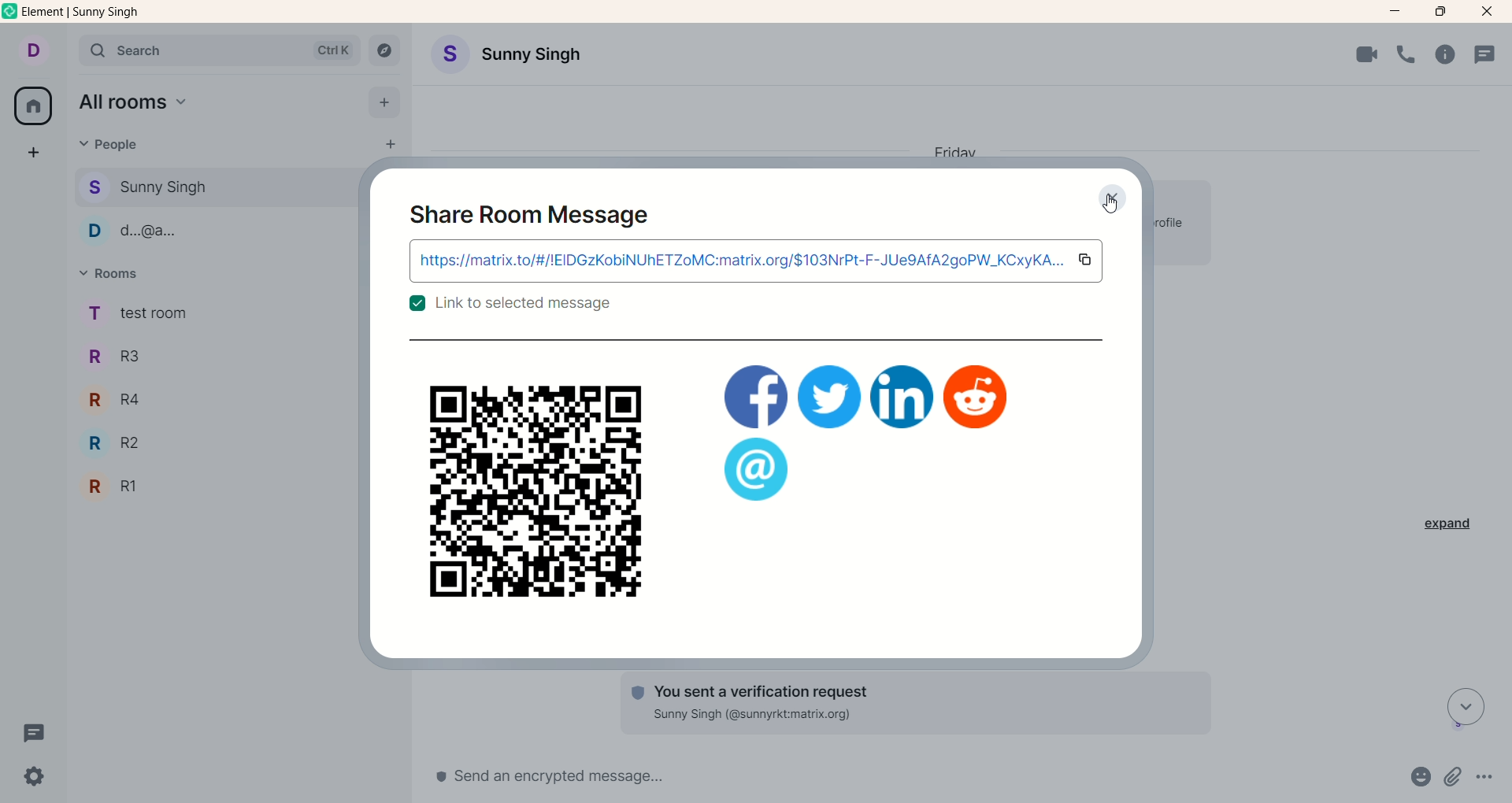  What do you see at coordinates (81, 14) in the screenshot?
I see `element` at bounding box center [81, 14].